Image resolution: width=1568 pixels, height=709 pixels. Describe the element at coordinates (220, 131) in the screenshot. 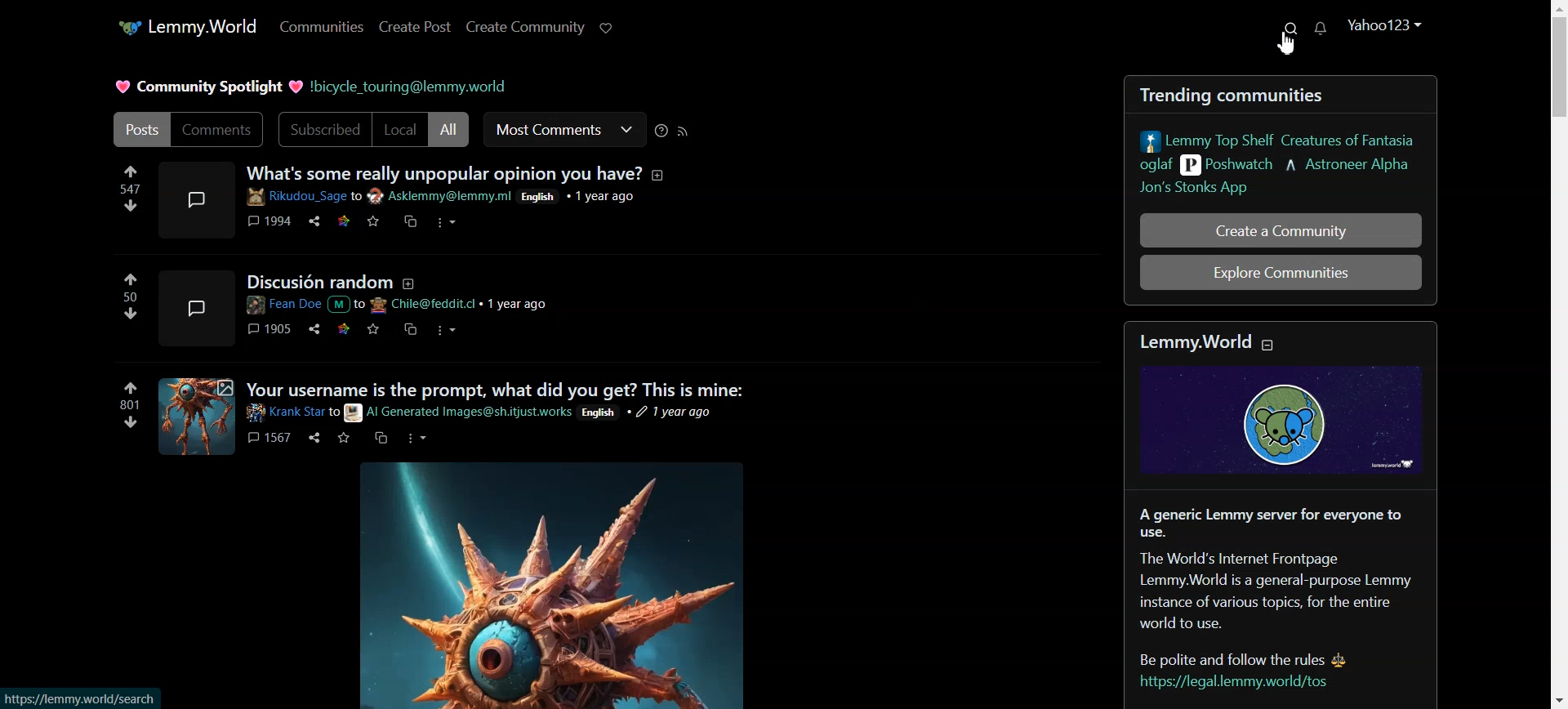

I see `Comments` at that location.